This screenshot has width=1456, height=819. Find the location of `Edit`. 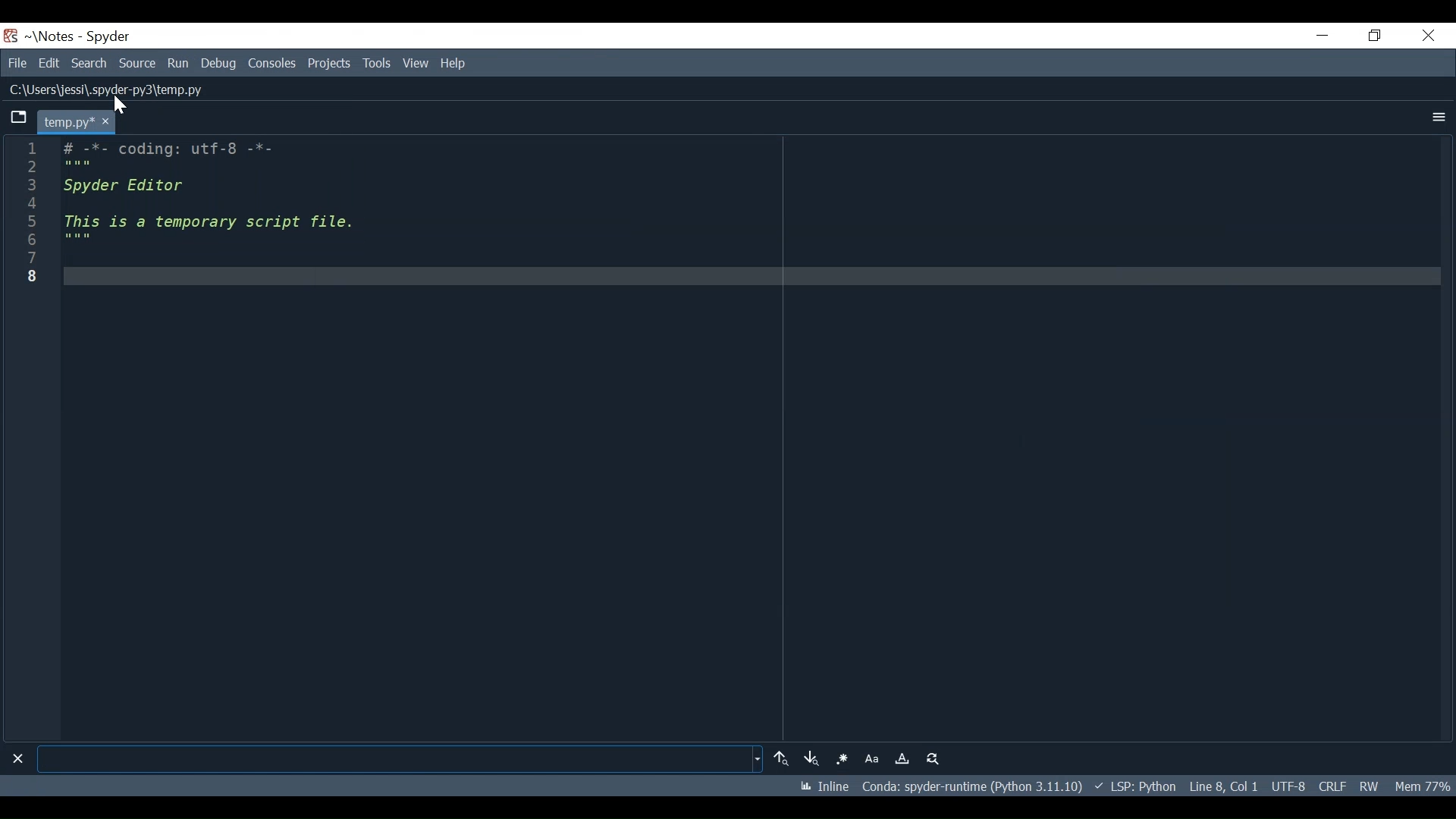

Edit is located at coordinates (45, 63).